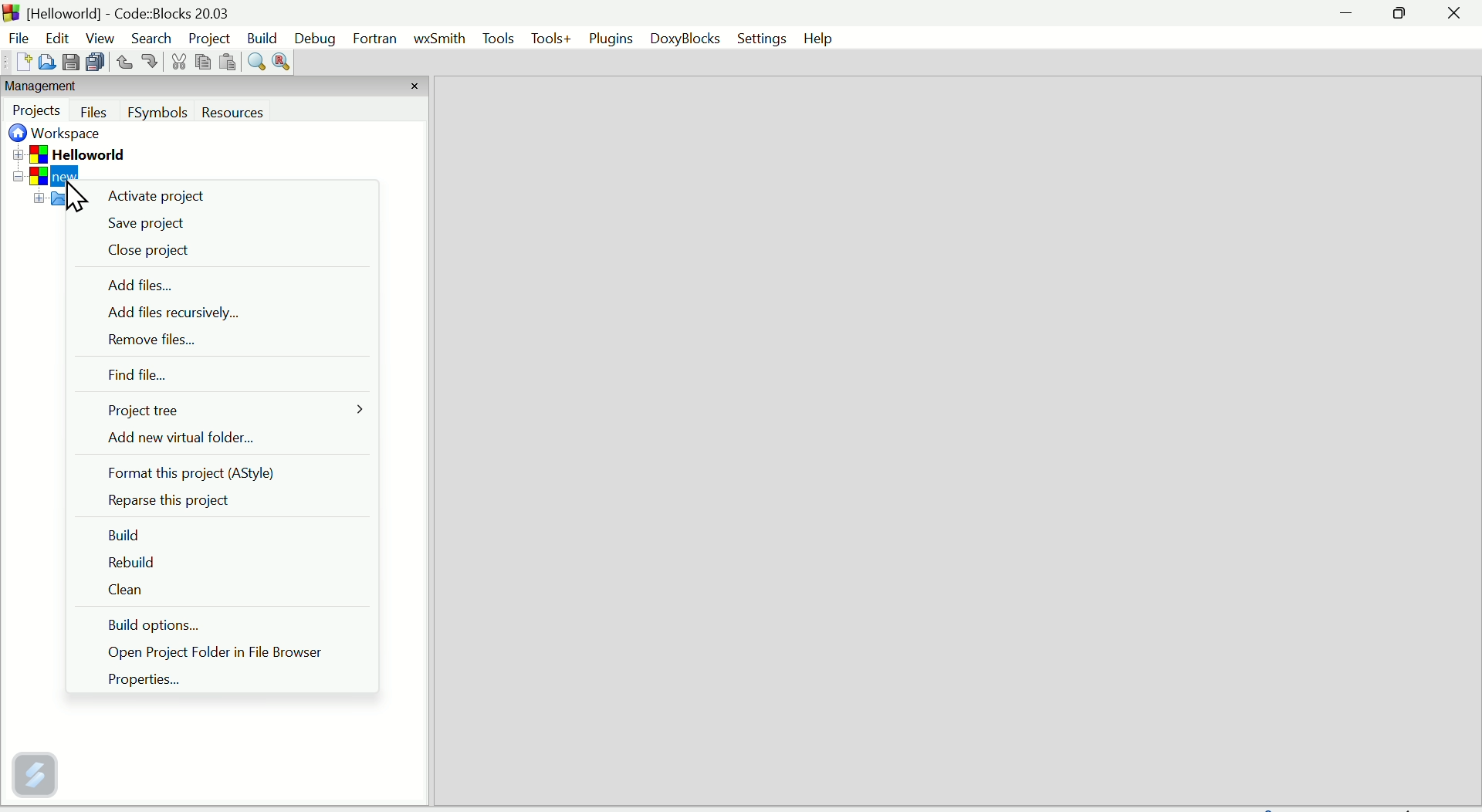 The width and height of the screenshot is (1482, 812). I want to click on Doxyblocks, so click(689, 39).